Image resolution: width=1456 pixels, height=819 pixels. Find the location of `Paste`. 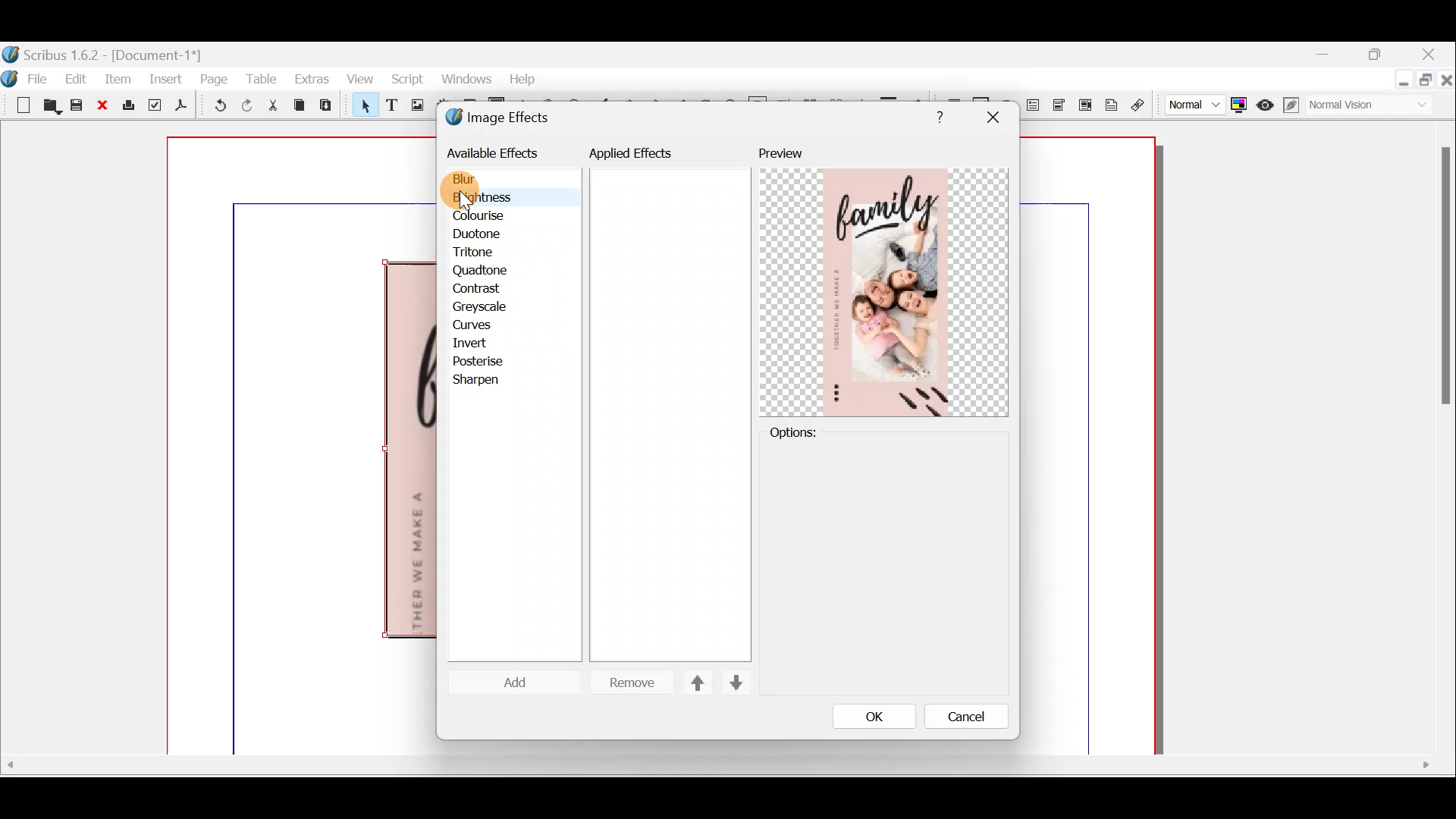

Paste is located at coordinates (329, 107).